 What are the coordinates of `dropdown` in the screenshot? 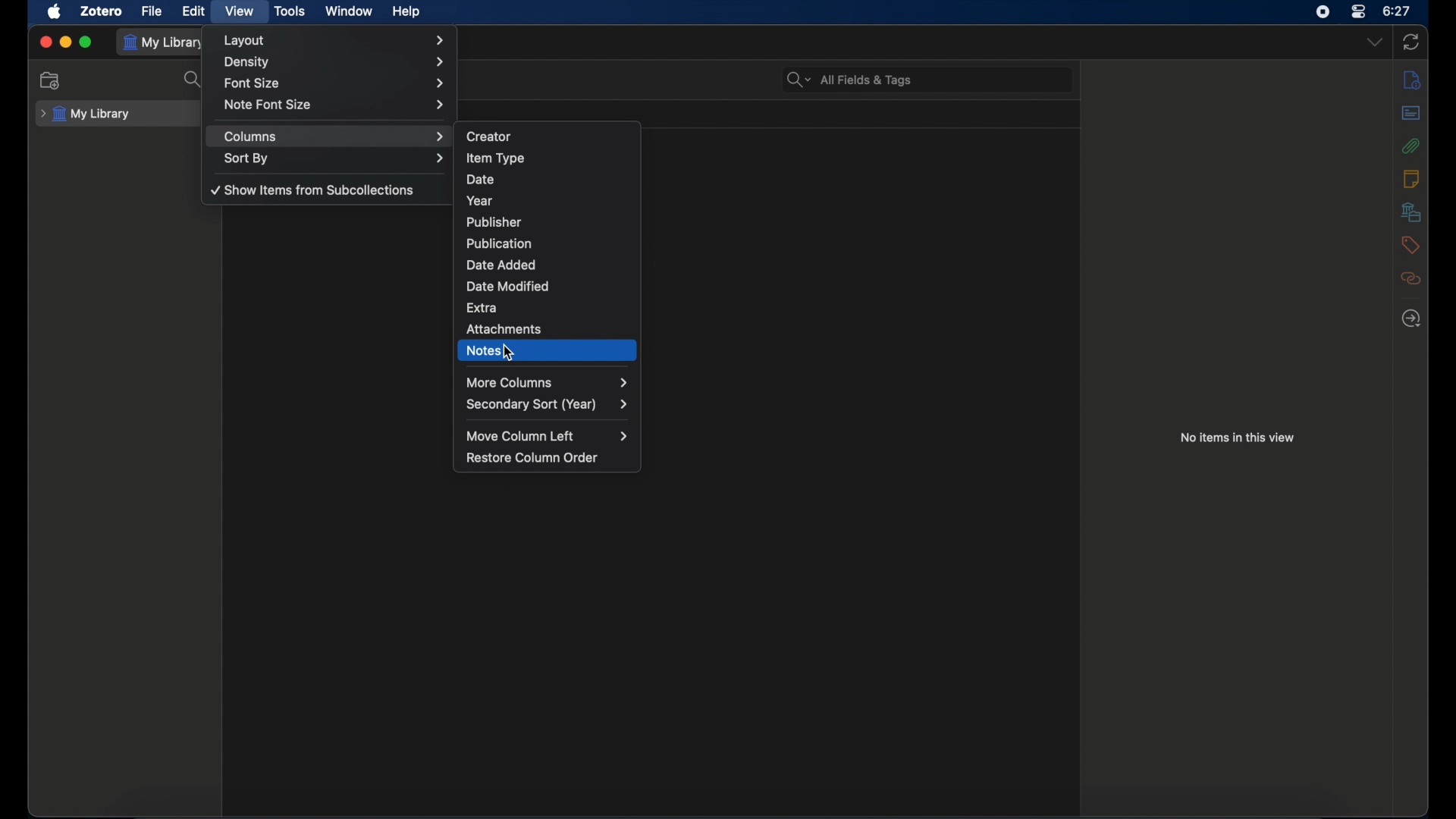 It's located at (1375, 42).